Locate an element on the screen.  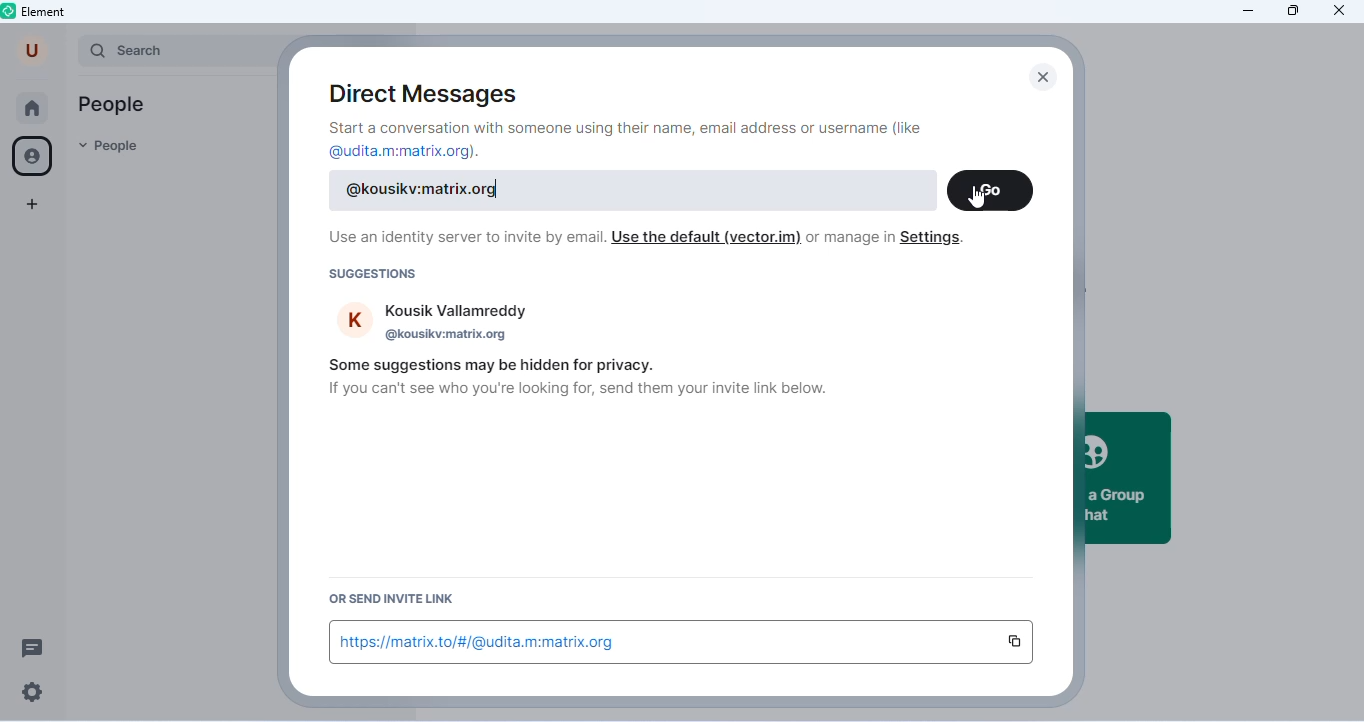
use an identity server to invite by email. Use the default(vector.im) or manage in settings is located at coordinates (649, 240).